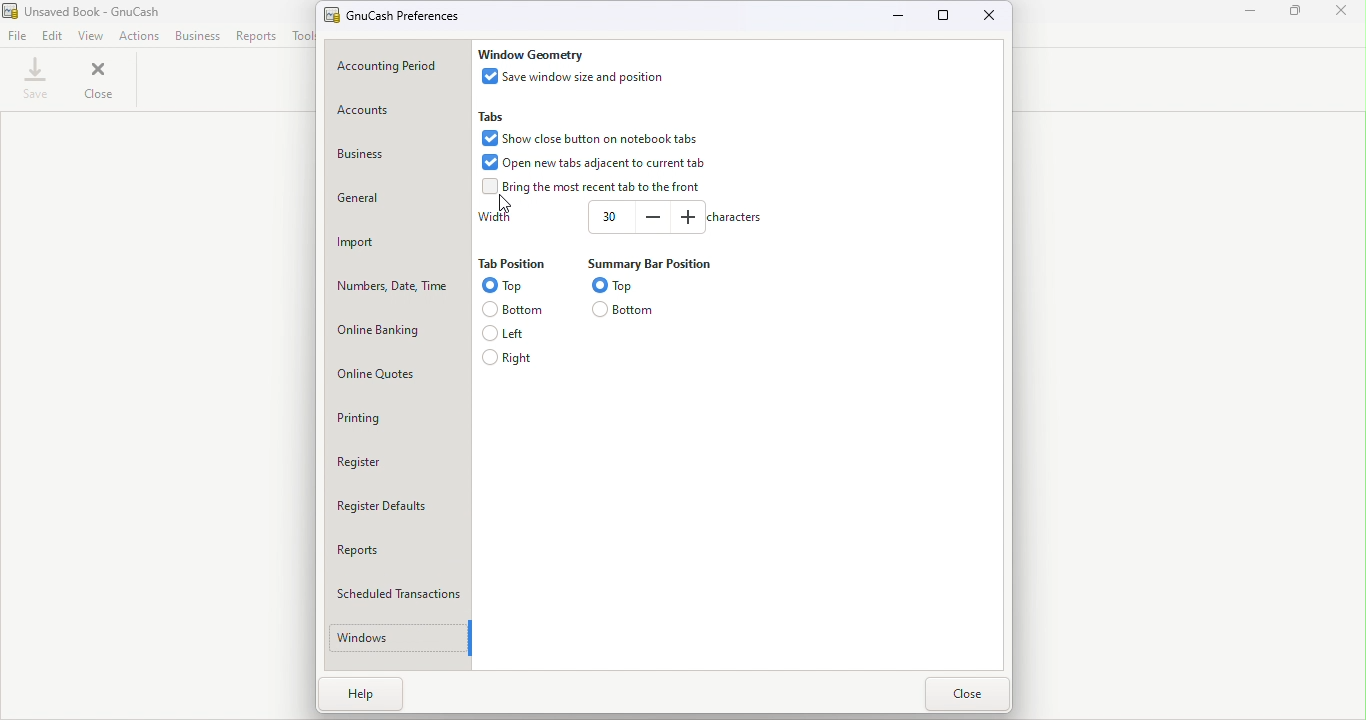 The width and height of the screenshot is (1366, 720). I want to click on Accounts, so click(397, 113).